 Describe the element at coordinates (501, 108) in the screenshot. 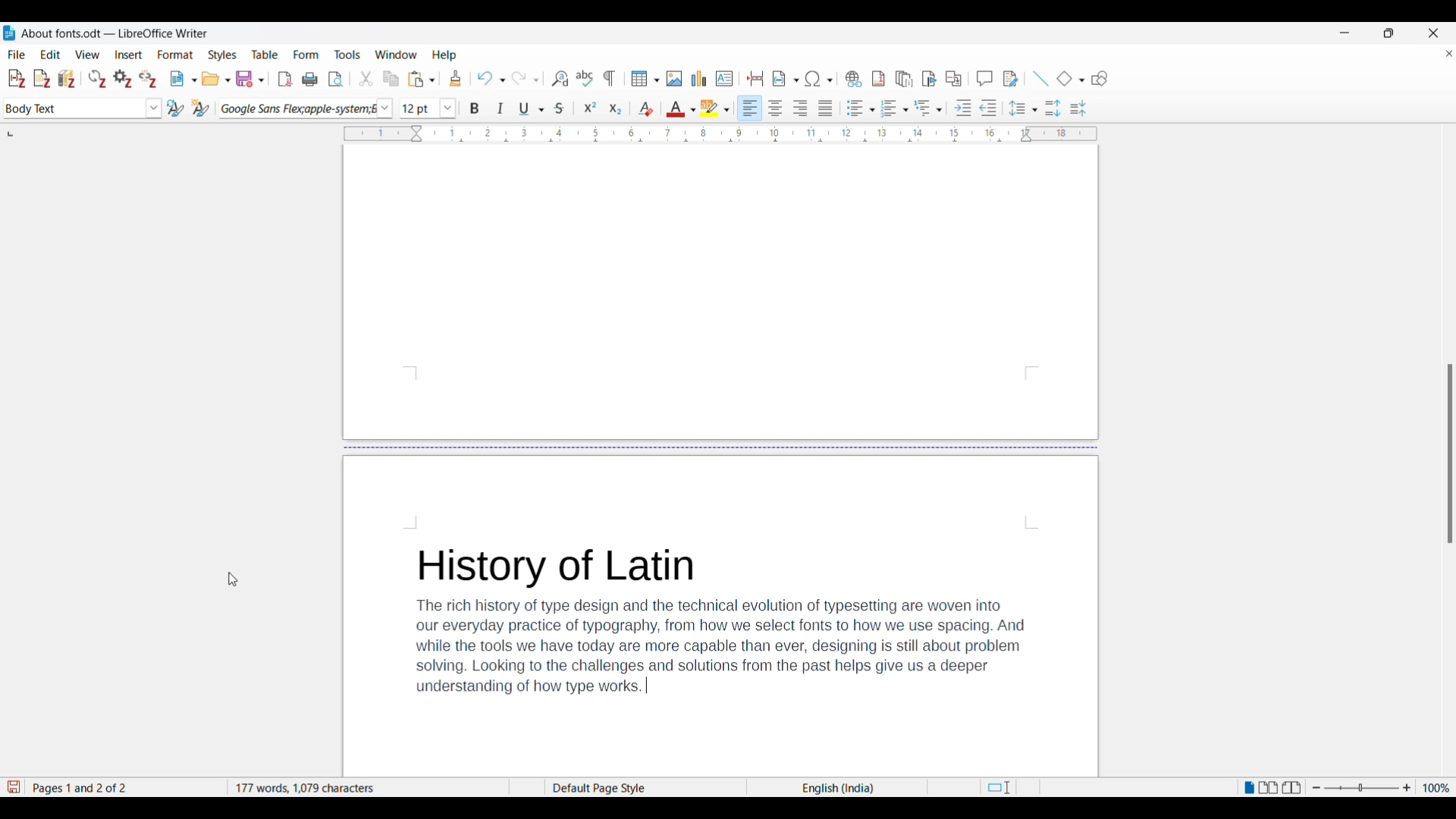

I see `Italics` at that location.